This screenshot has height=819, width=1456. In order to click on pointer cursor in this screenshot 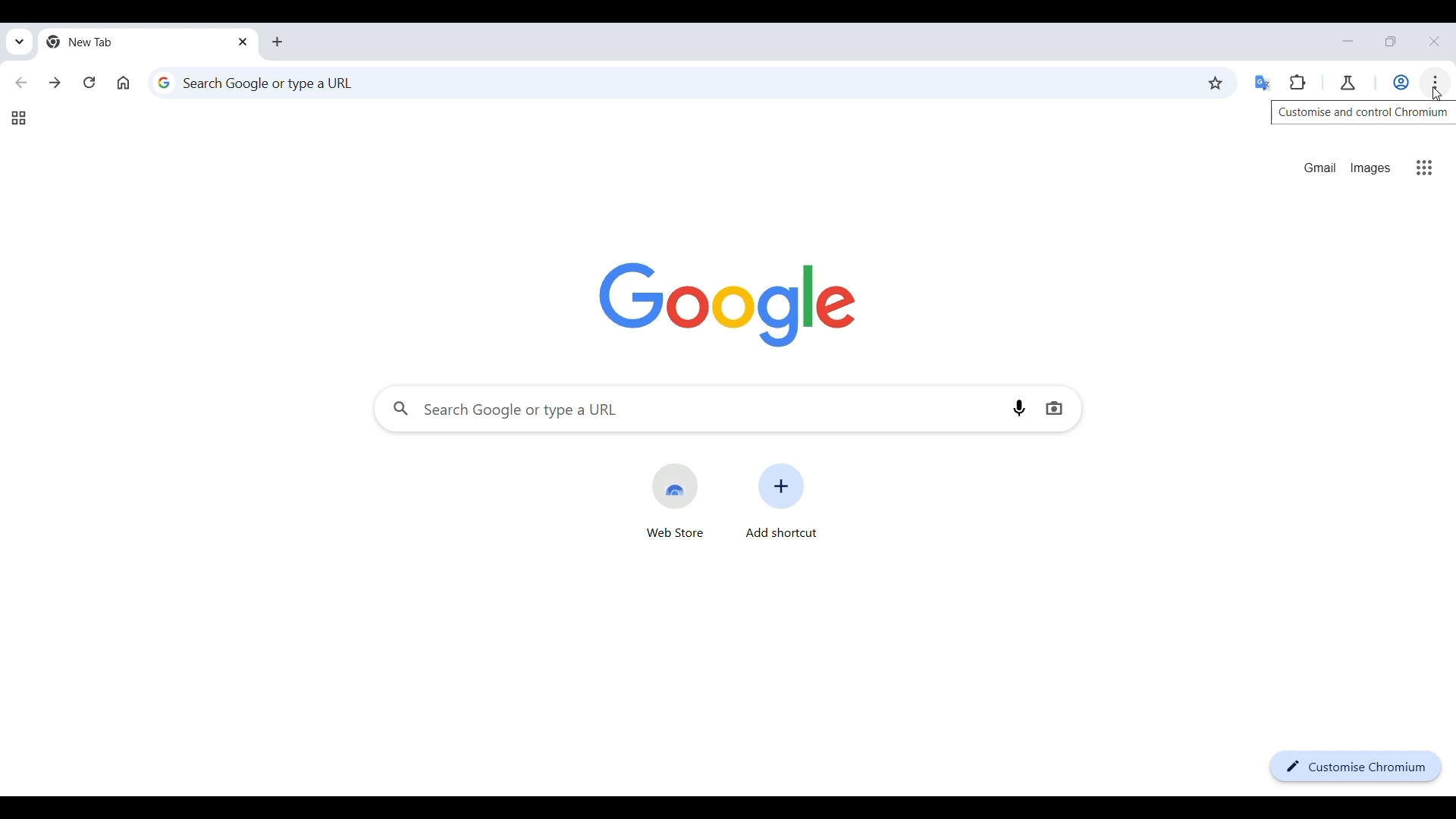, I will do `click(1436, 91)`.